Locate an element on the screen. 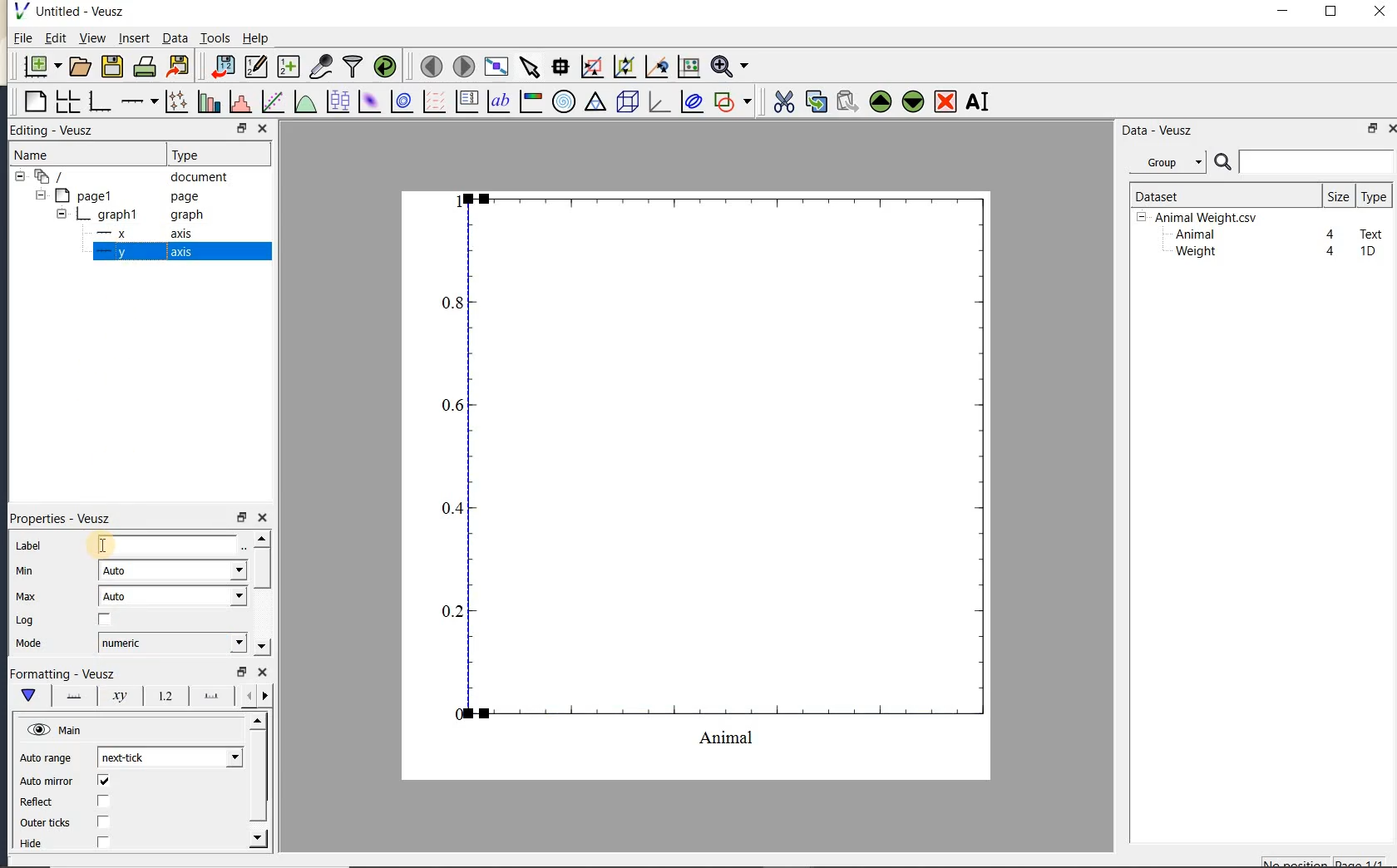  Tools is located at coordinates (216, 37).